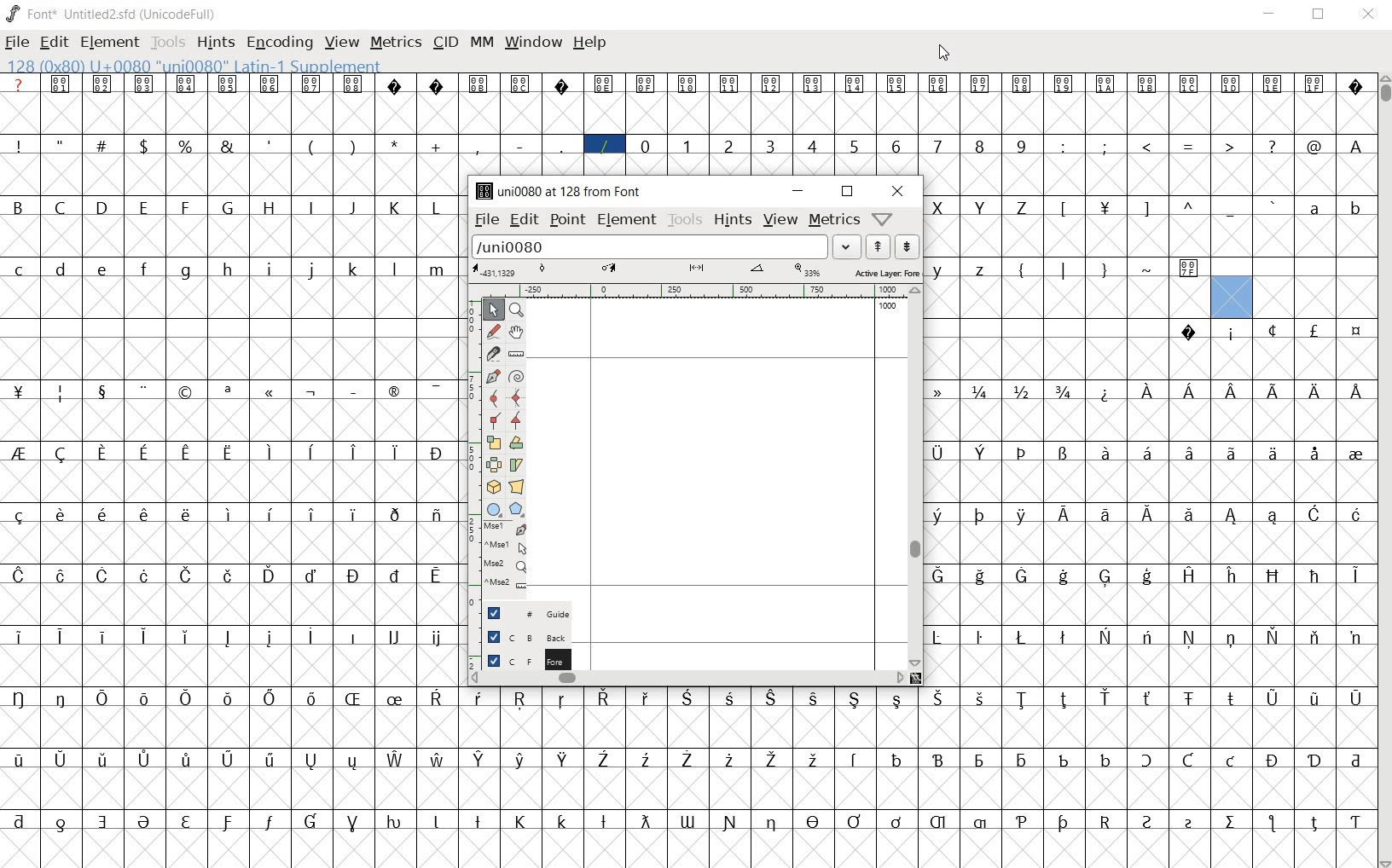 Image resolution: width=1392 pixels, height=868 pixels. Describe the element at coordinates (521, 219) in the screenshot. I see `edit` at that location.